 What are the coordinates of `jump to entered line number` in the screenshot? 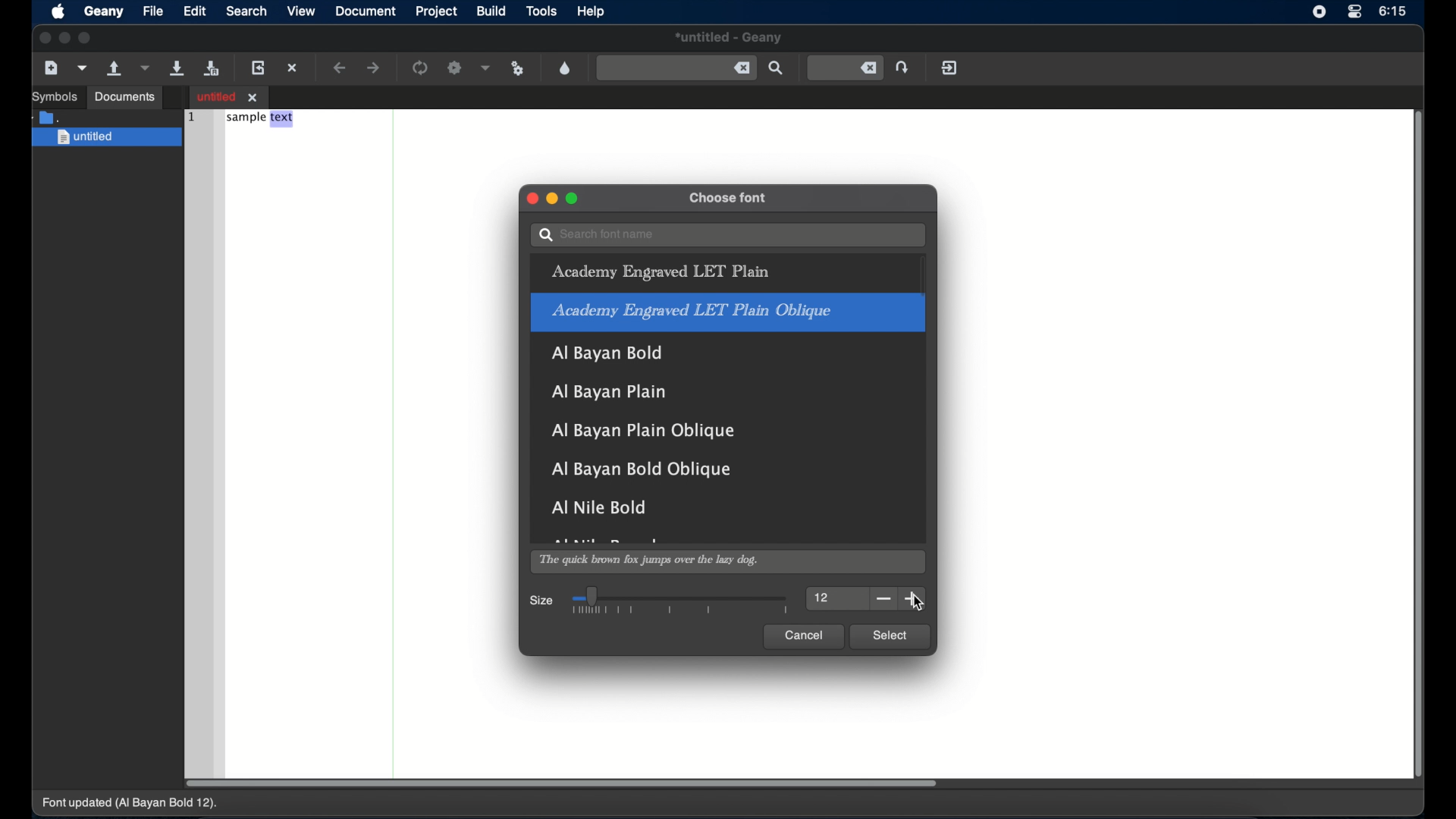 It's located at (905, 67).